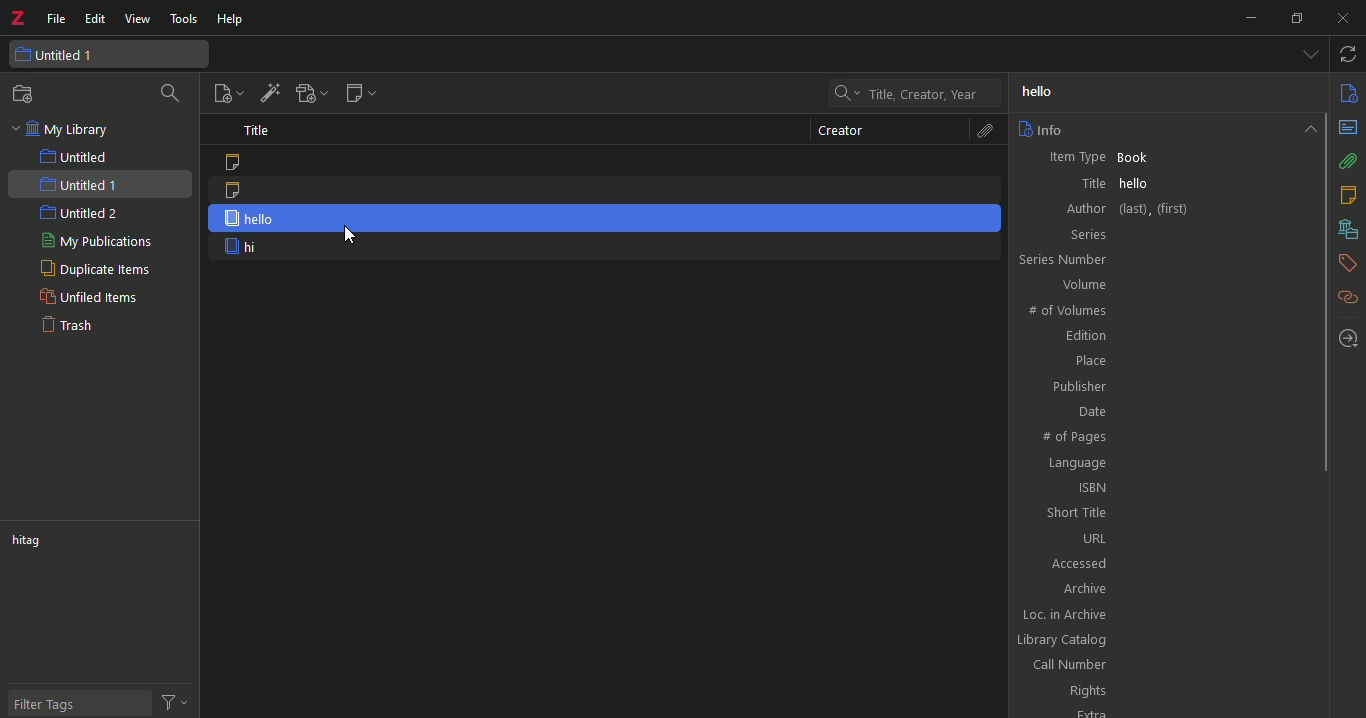 The image size is (1366, 718). I want to click on series number, so click(1065, 260).